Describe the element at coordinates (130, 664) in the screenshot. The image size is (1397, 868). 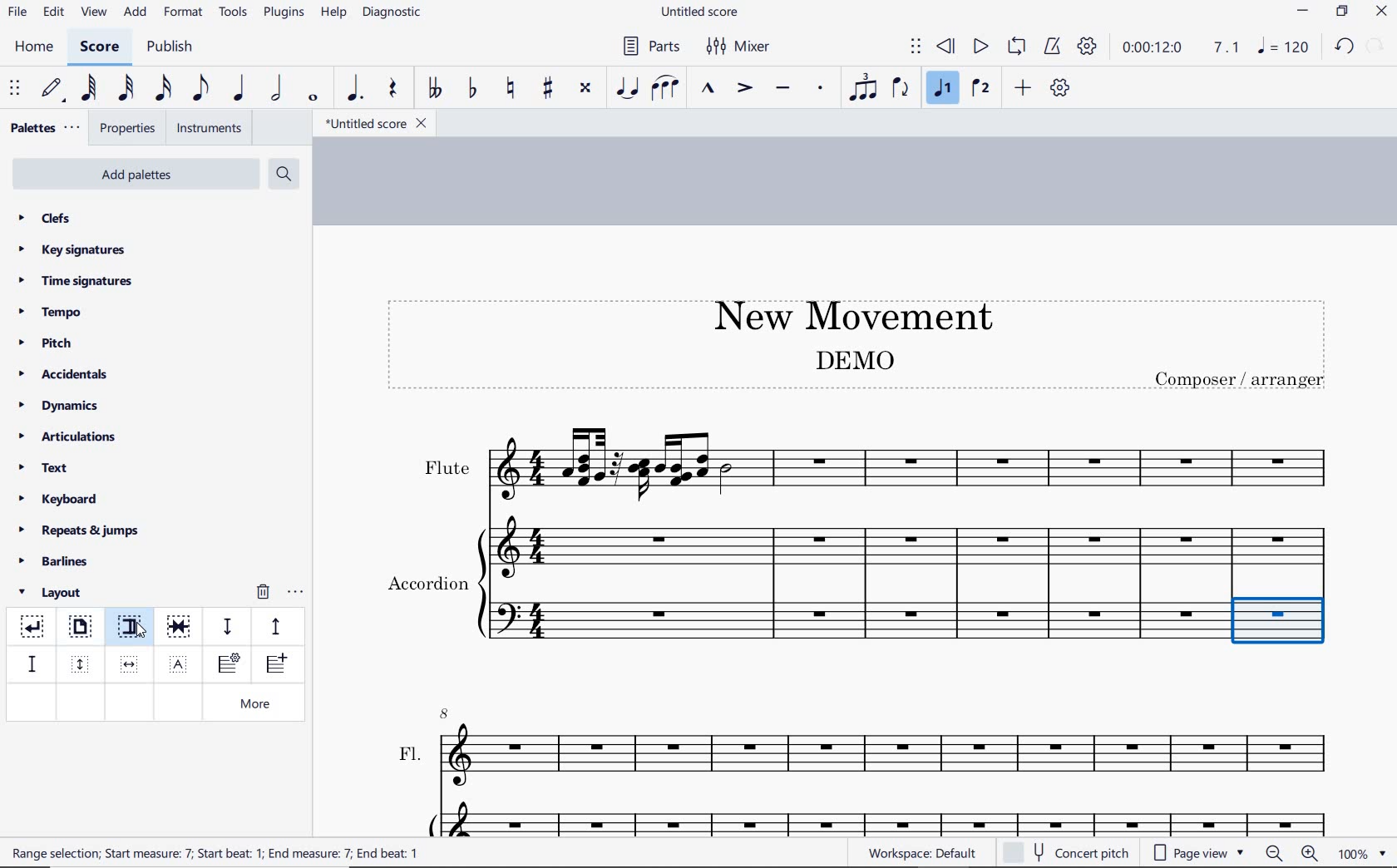
I see `insert horizontal` at that location.